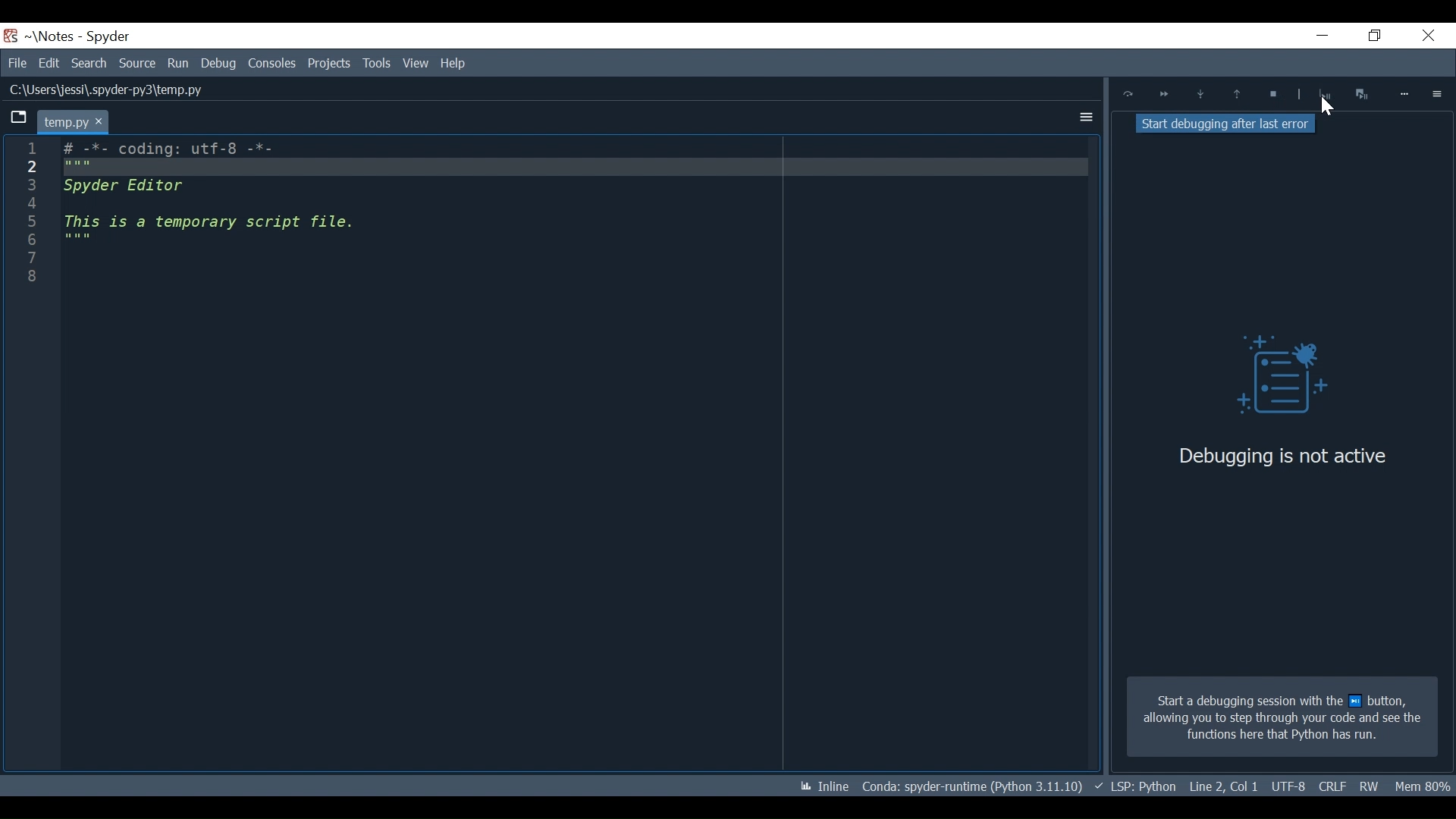 The height and width of the screenshot is (819, 1456). What do you see at coordinates (1082, 115) in the screenshot?
I see `More Options` at bounding box center [1082, 115].